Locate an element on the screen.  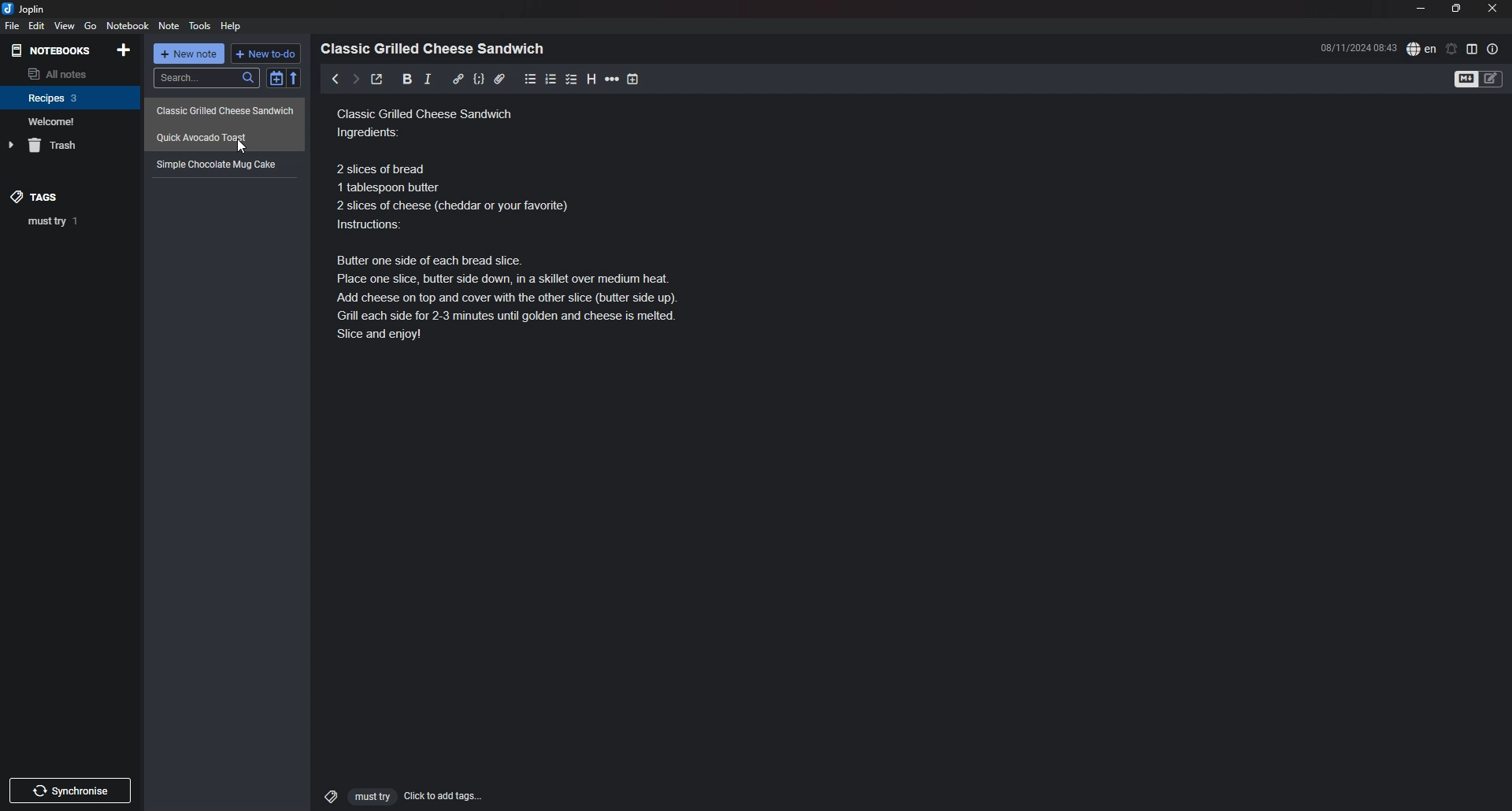
resize is located at coordinates (1456, 9).